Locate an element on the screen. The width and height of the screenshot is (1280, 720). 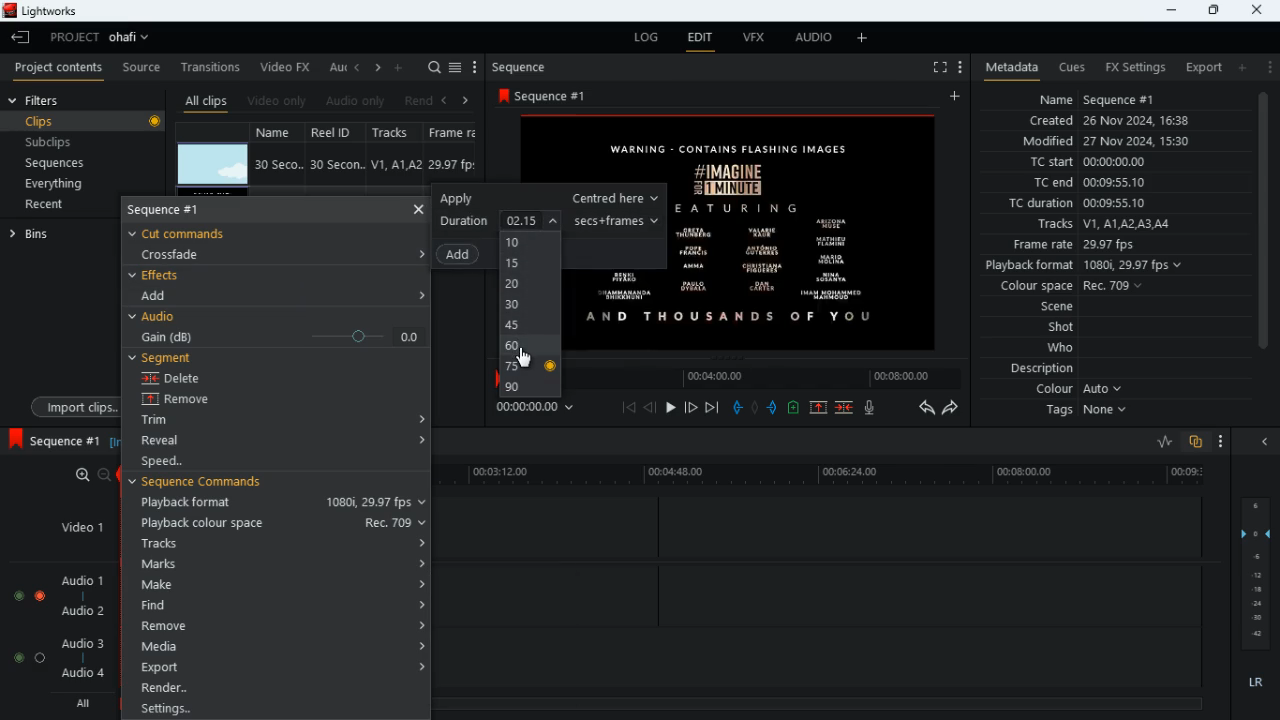
project contents is located at coordinates (59, 67).